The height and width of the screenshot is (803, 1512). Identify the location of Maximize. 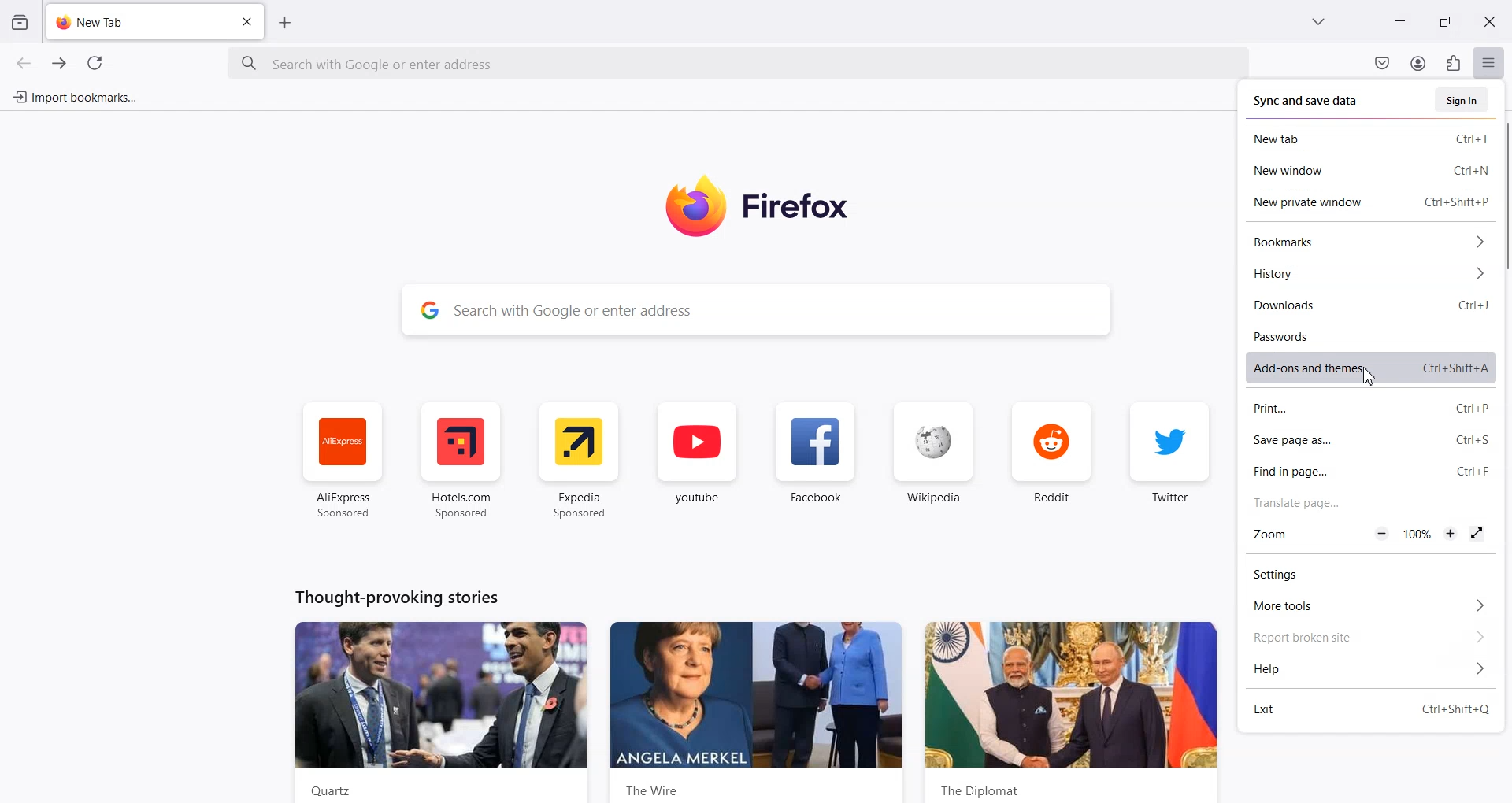
(1445, 20).